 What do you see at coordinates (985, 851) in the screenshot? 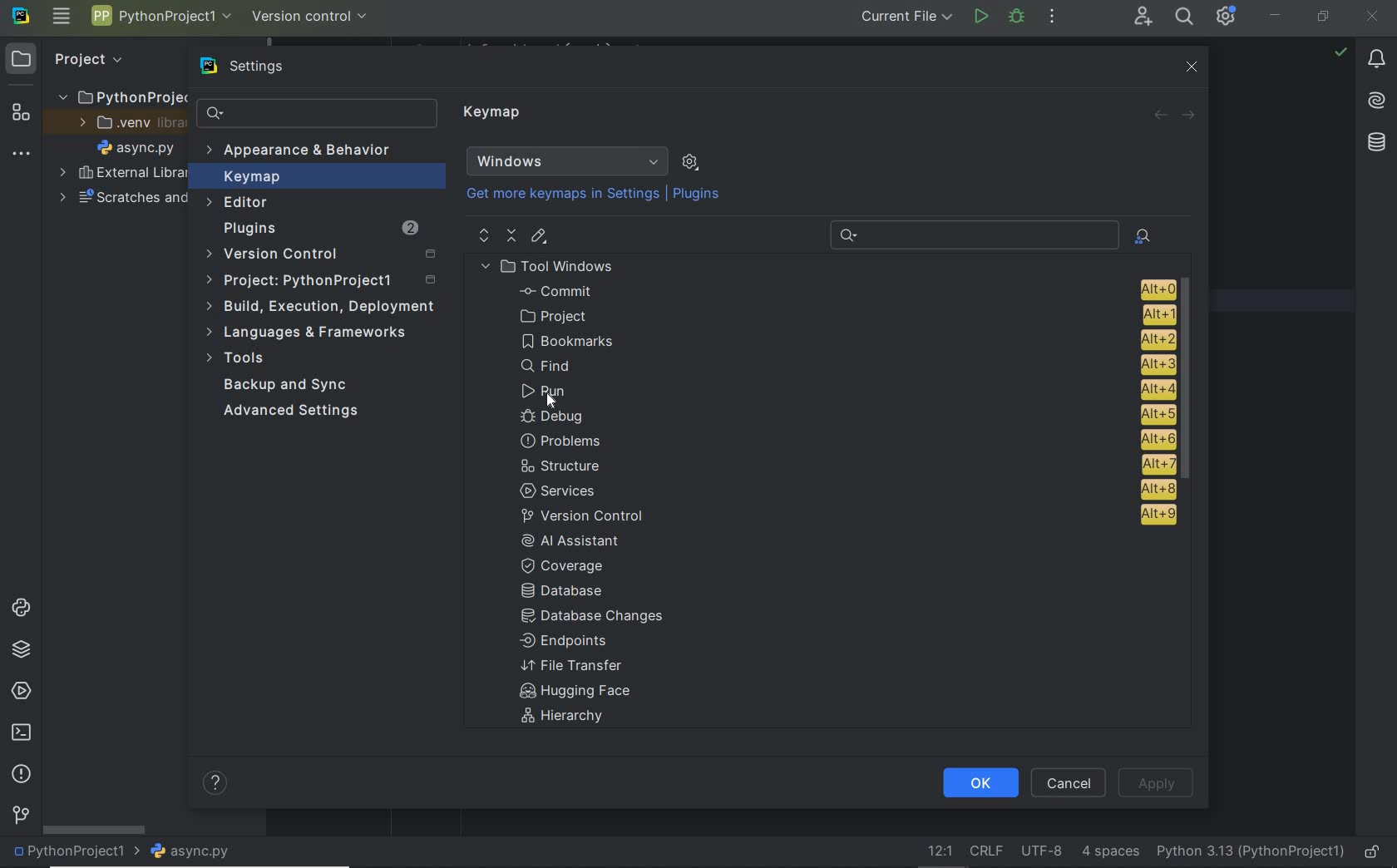
I see `Line separator` at bounding box center [985, 851].